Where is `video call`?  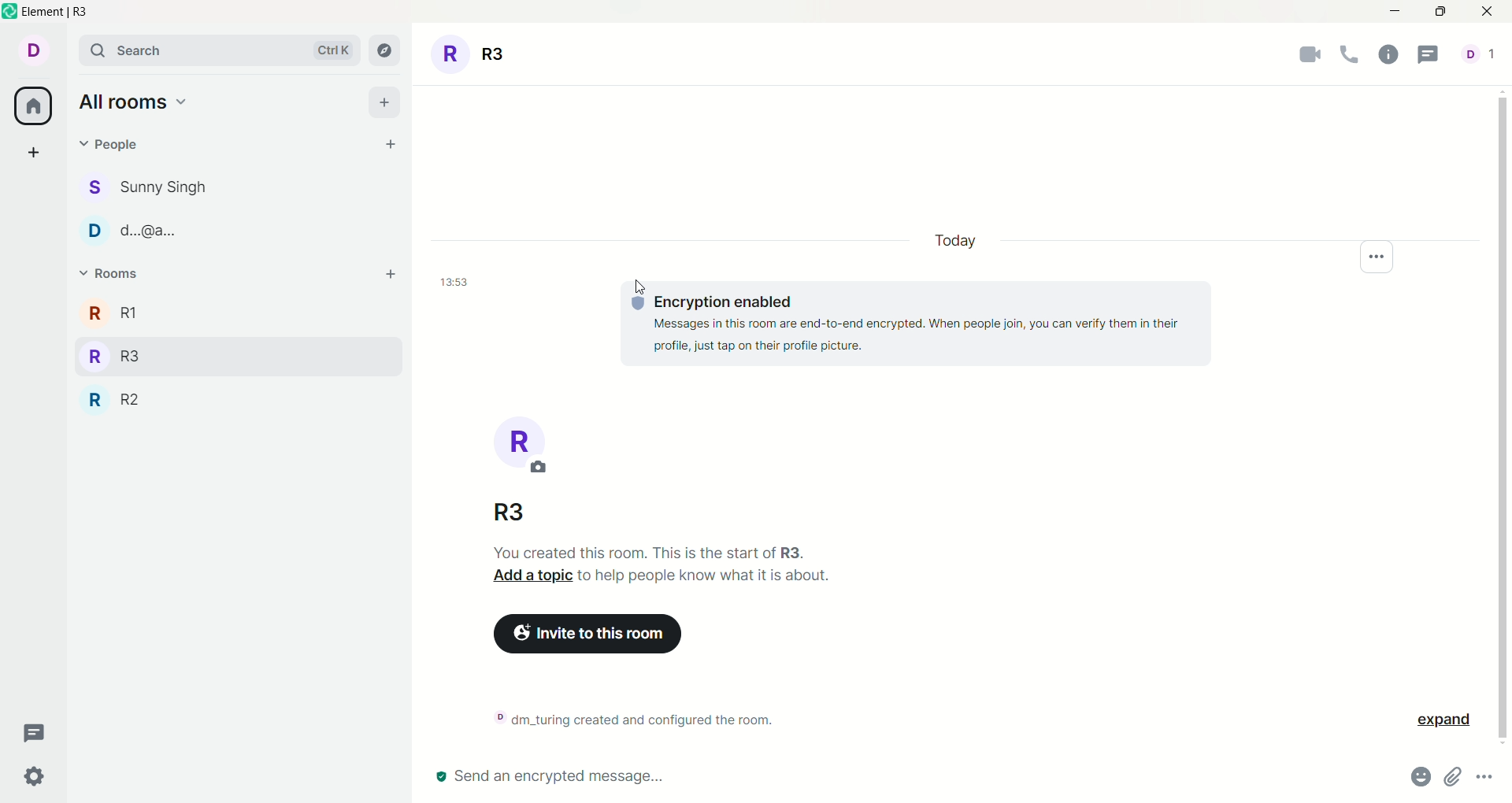
video call is located at coordinates (1303, 54).